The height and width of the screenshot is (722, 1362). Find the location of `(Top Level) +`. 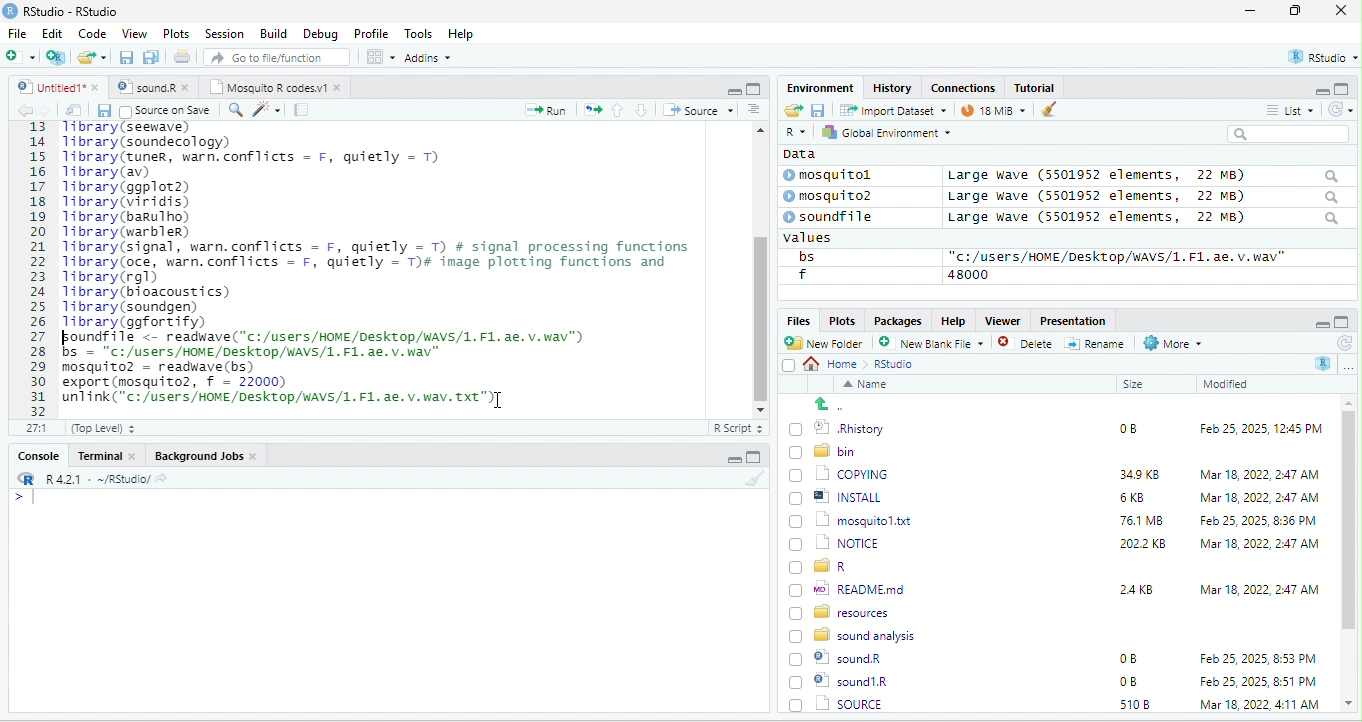

(Top Level) + is located at coordinates (103, 428).